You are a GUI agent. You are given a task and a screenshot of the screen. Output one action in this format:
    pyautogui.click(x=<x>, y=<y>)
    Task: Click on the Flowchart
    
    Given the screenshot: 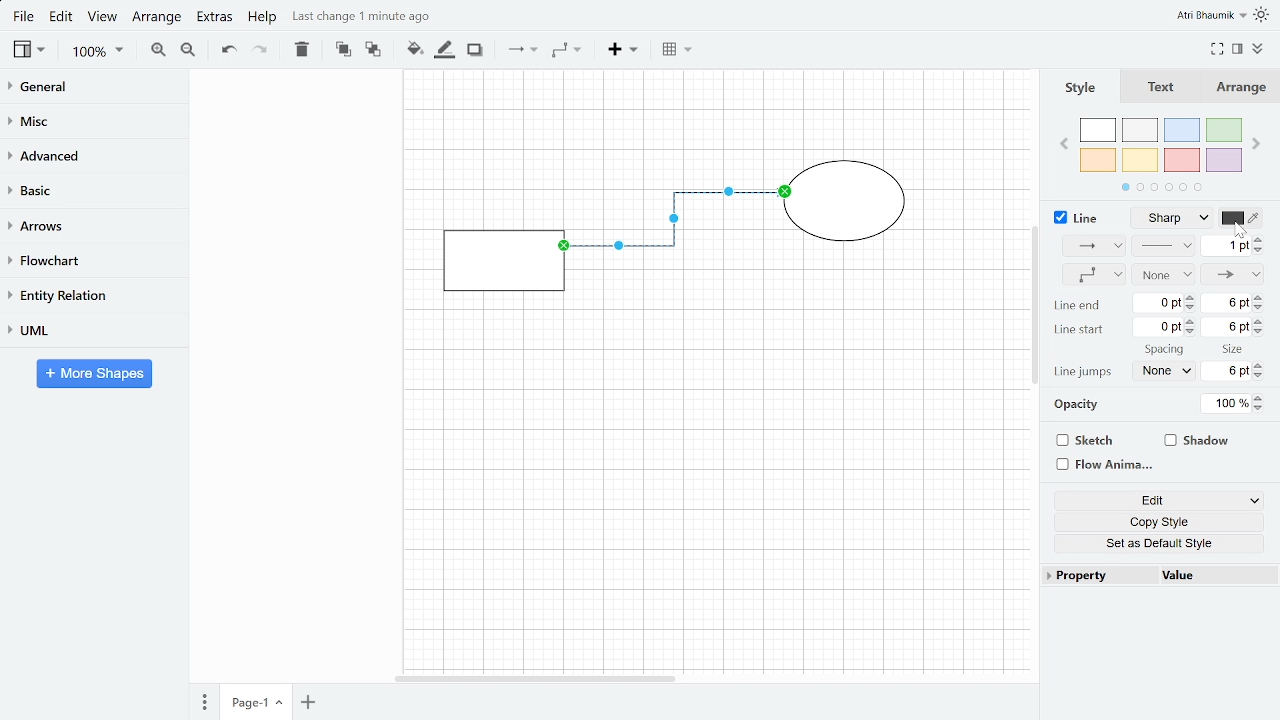 What is the action you would take?
    pyautogui.click(x=89, y=260)
    